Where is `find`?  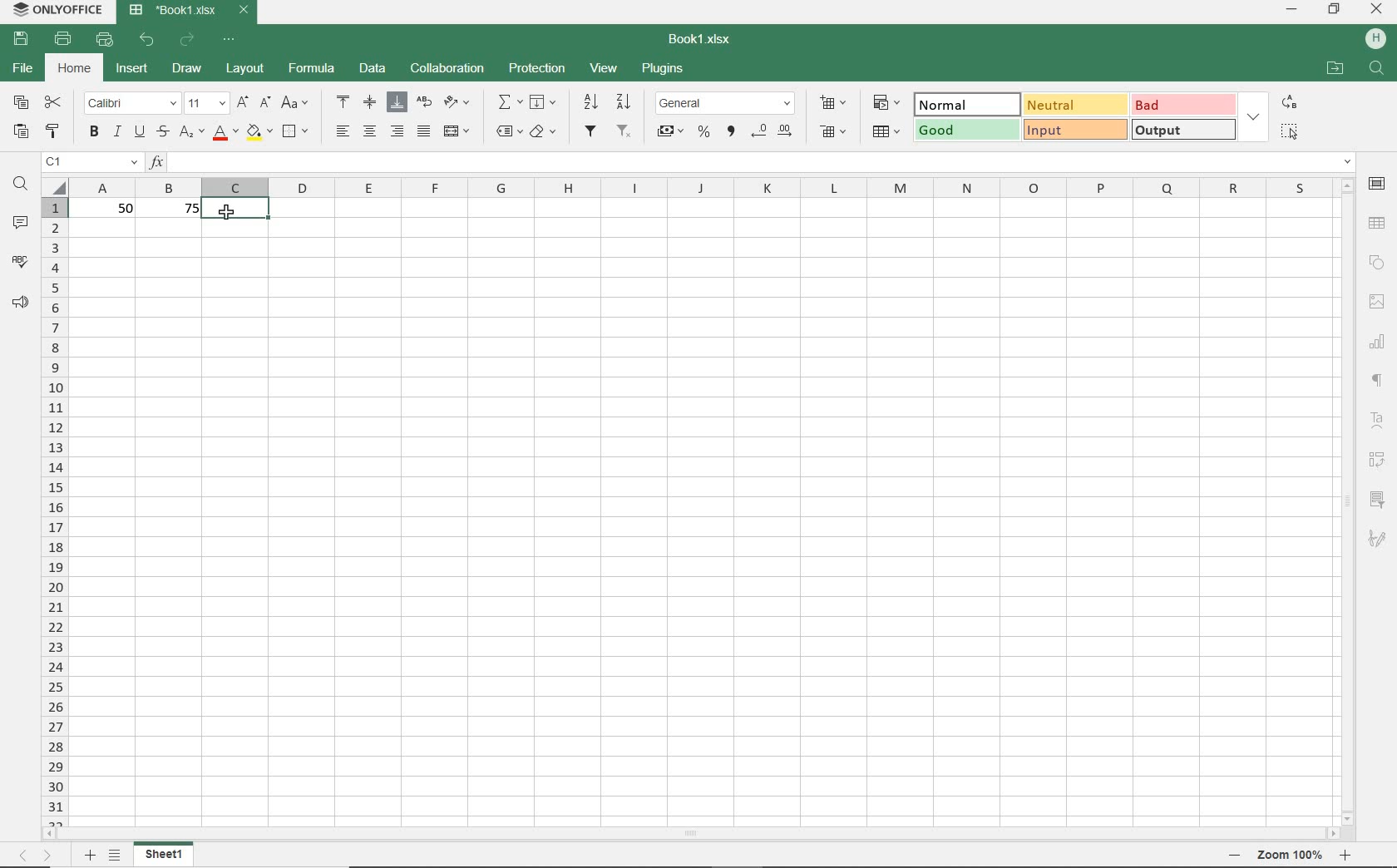 find is located at coordinates (1375, 67).